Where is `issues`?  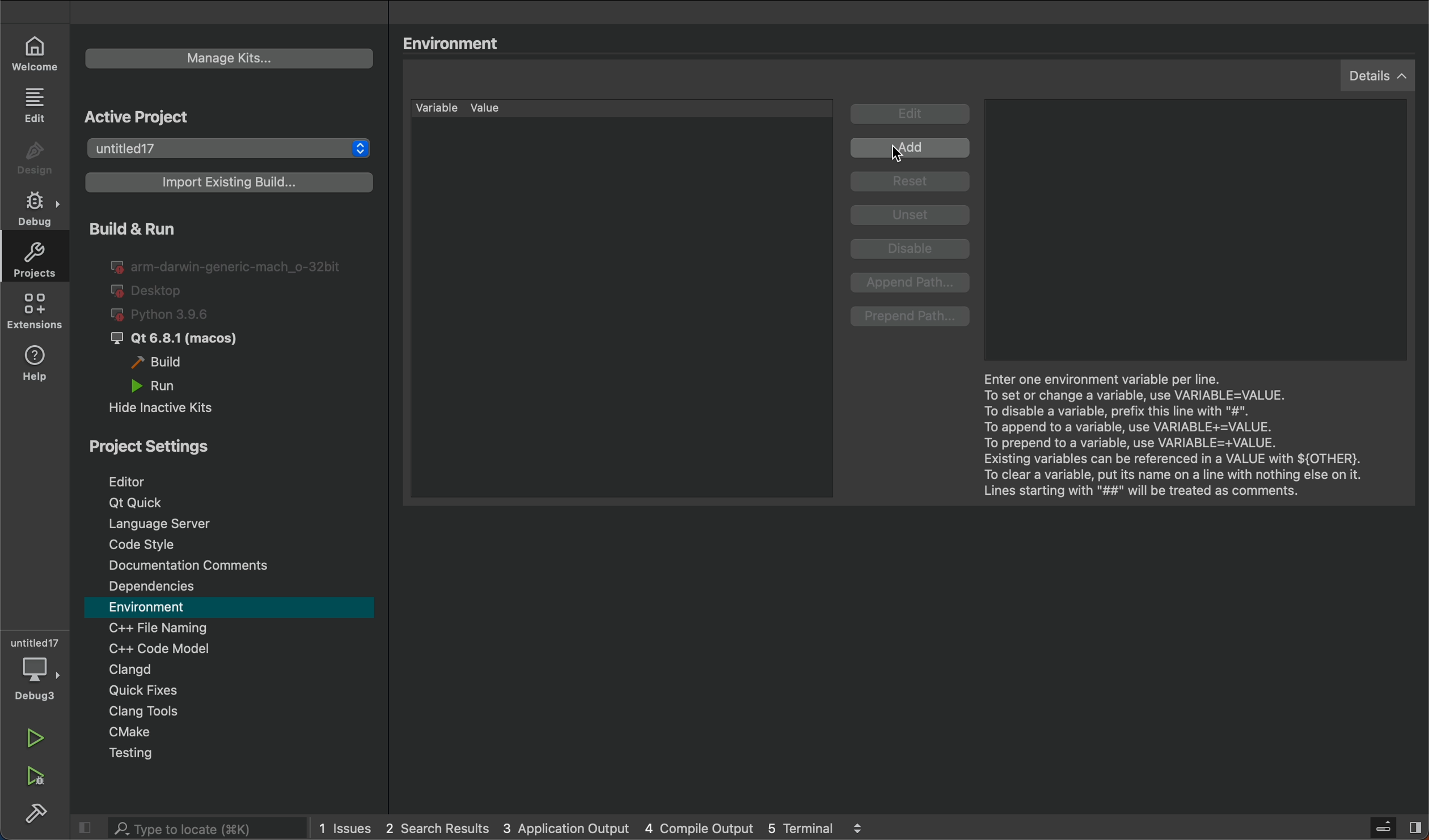
issues is located at coordinates (347, 828).